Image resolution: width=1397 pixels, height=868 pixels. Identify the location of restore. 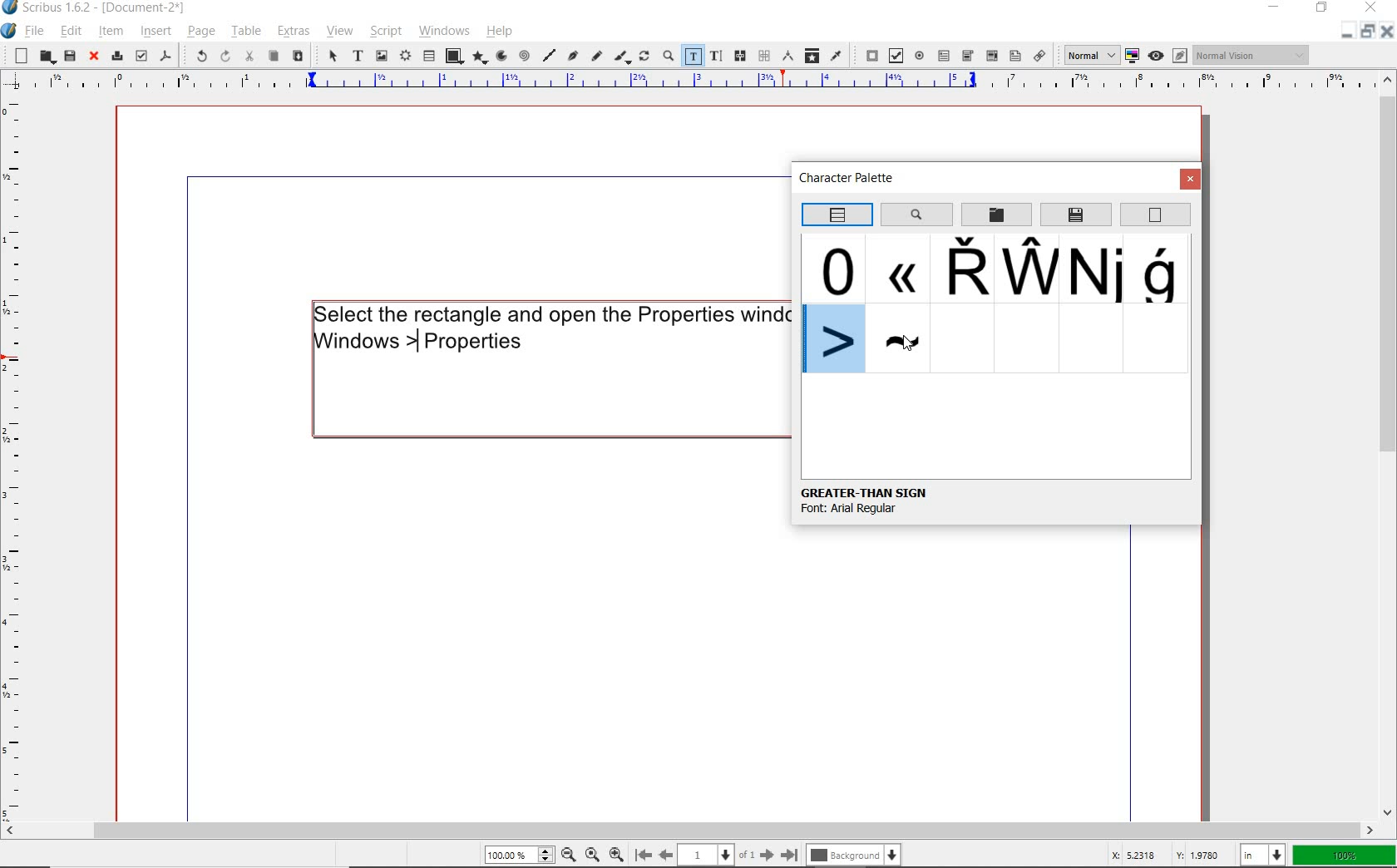
(1366, 34).